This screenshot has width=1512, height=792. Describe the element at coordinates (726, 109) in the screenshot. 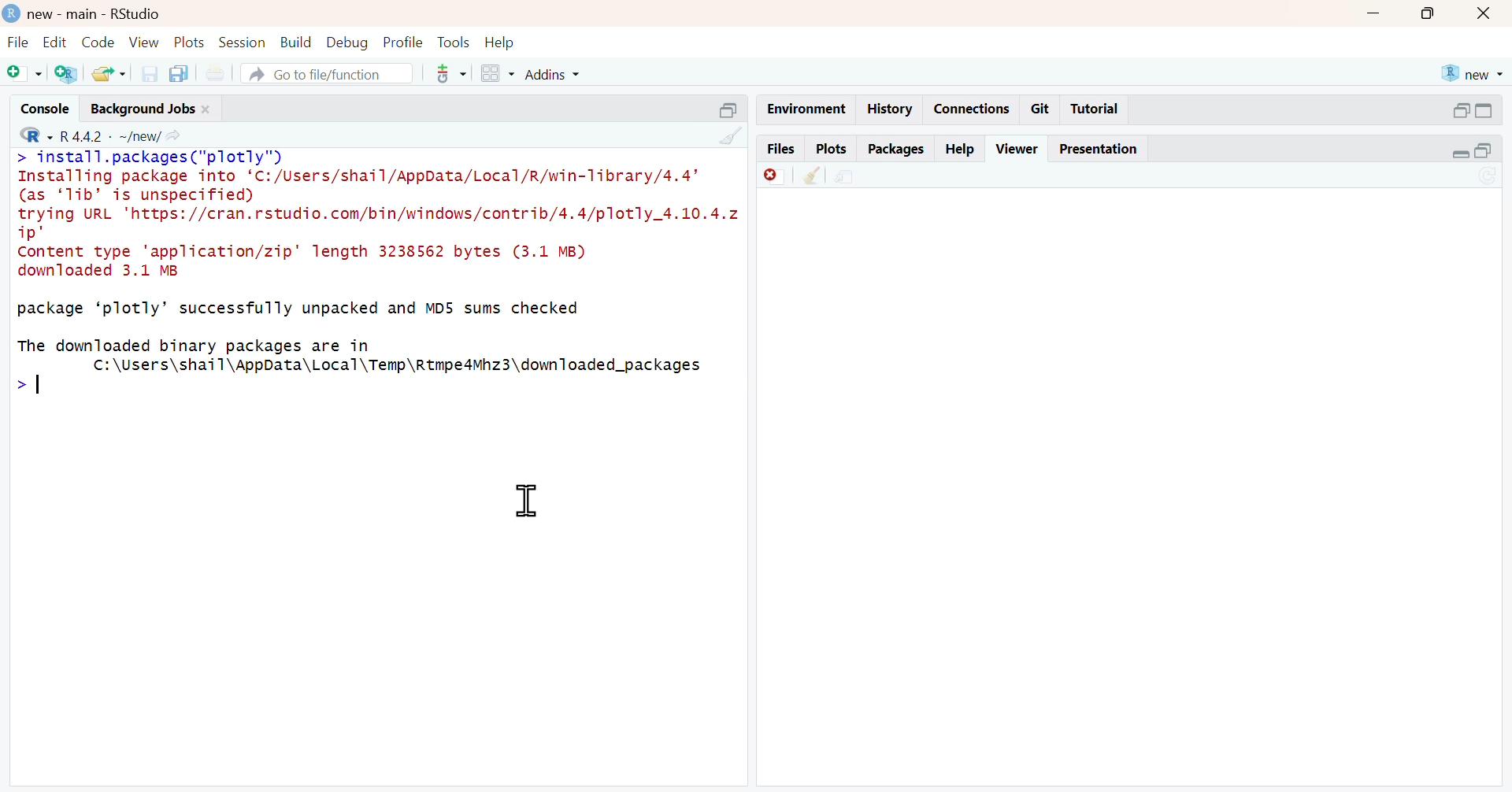

I see `maximize` at that location.